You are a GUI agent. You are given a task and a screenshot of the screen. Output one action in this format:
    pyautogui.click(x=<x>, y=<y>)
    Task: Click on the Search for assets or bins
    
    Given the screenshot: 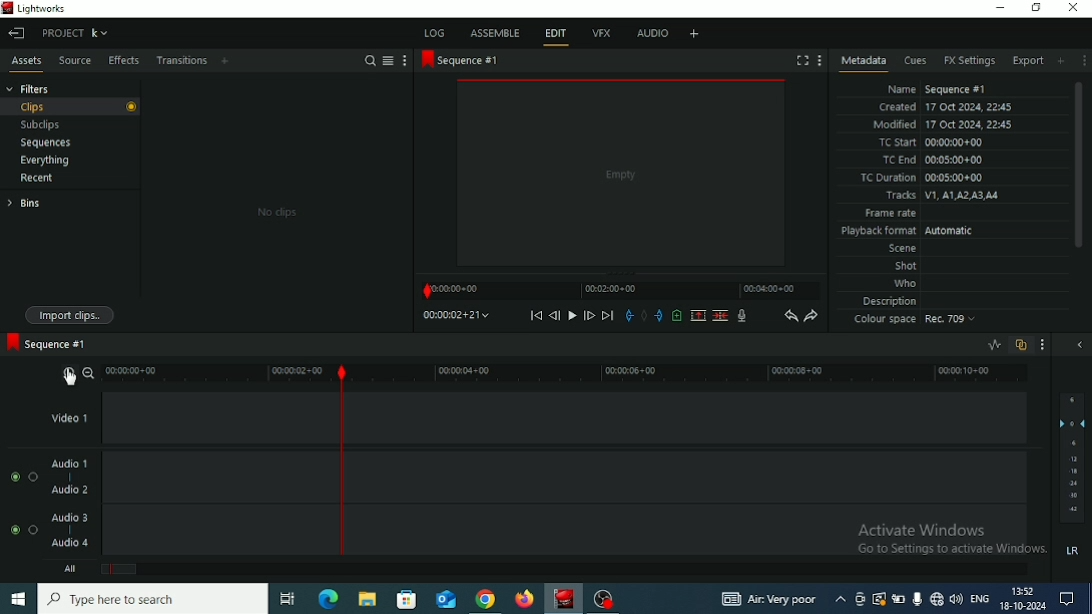 What is the action you would take?
    pyautogui.click(x=370, y=61)
    